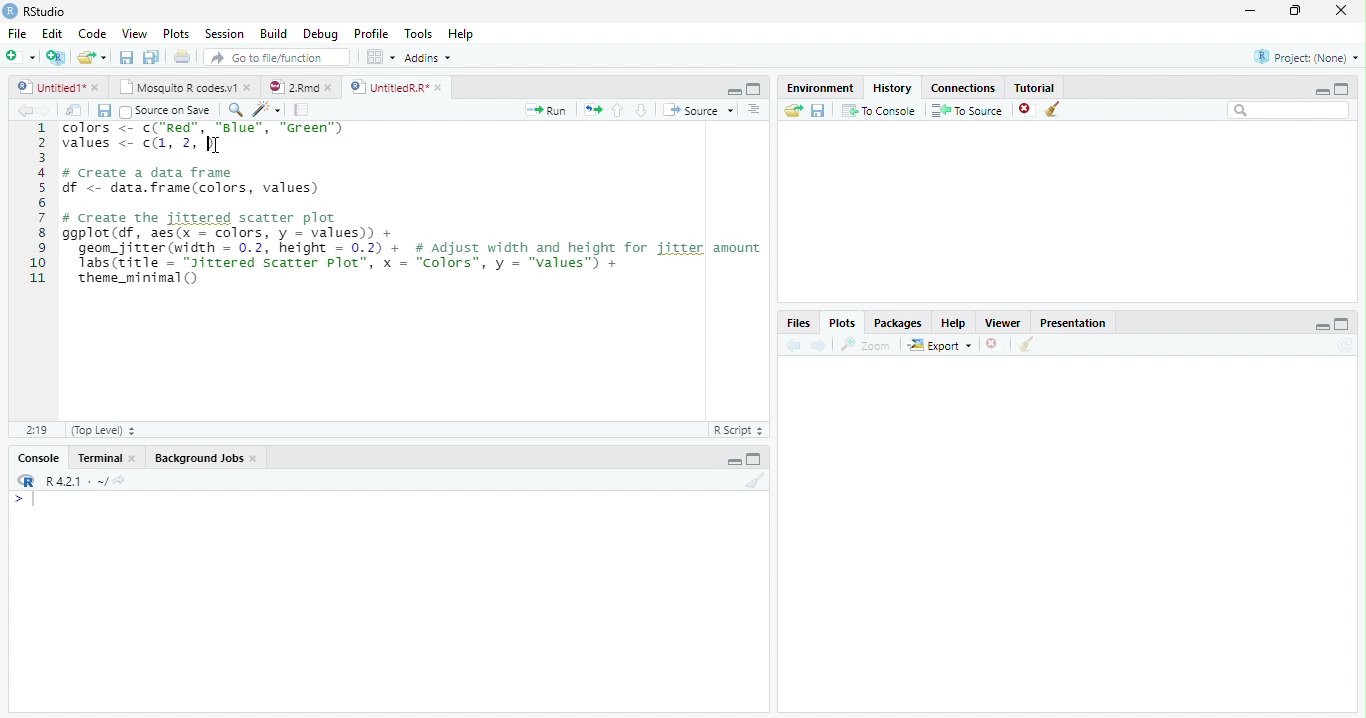  What do you see at coordinates (99, 458) in the screenshot?
I see `Terminal` at bounding box center [99, 458].